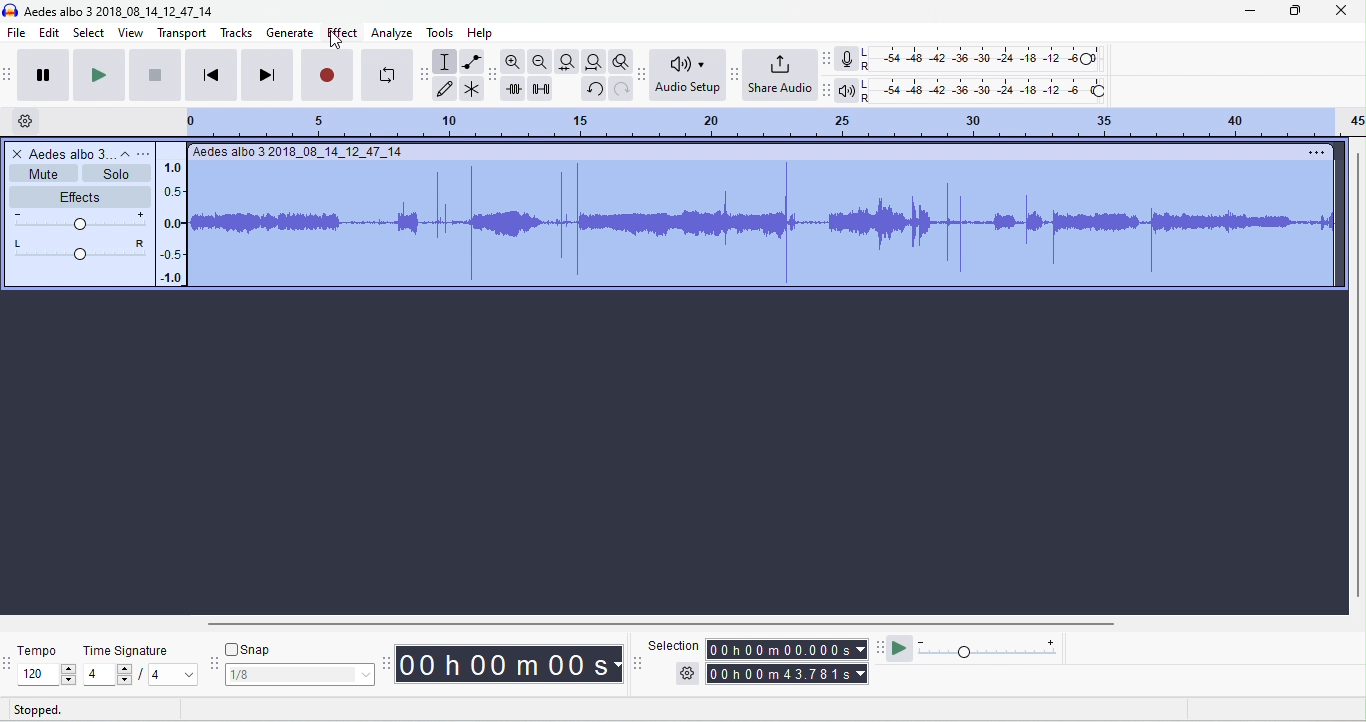 The height and width of the screenshot is (722, 1366). Describe the element at coordinates (389, 73) in the screenshot. I see `loop` at that location.